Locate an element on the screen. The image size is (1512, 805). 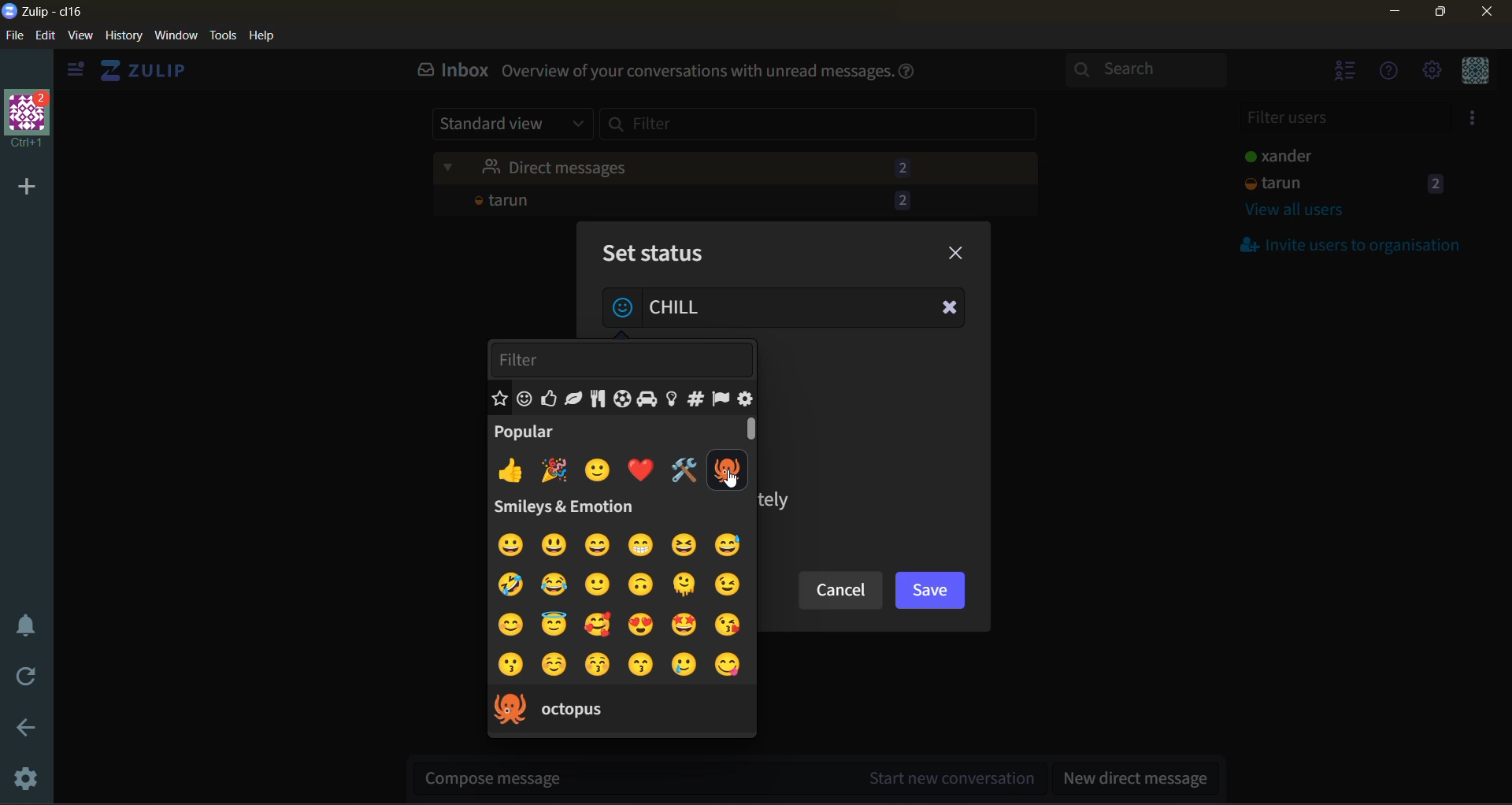
emoji is located at coordinates (597, 625).